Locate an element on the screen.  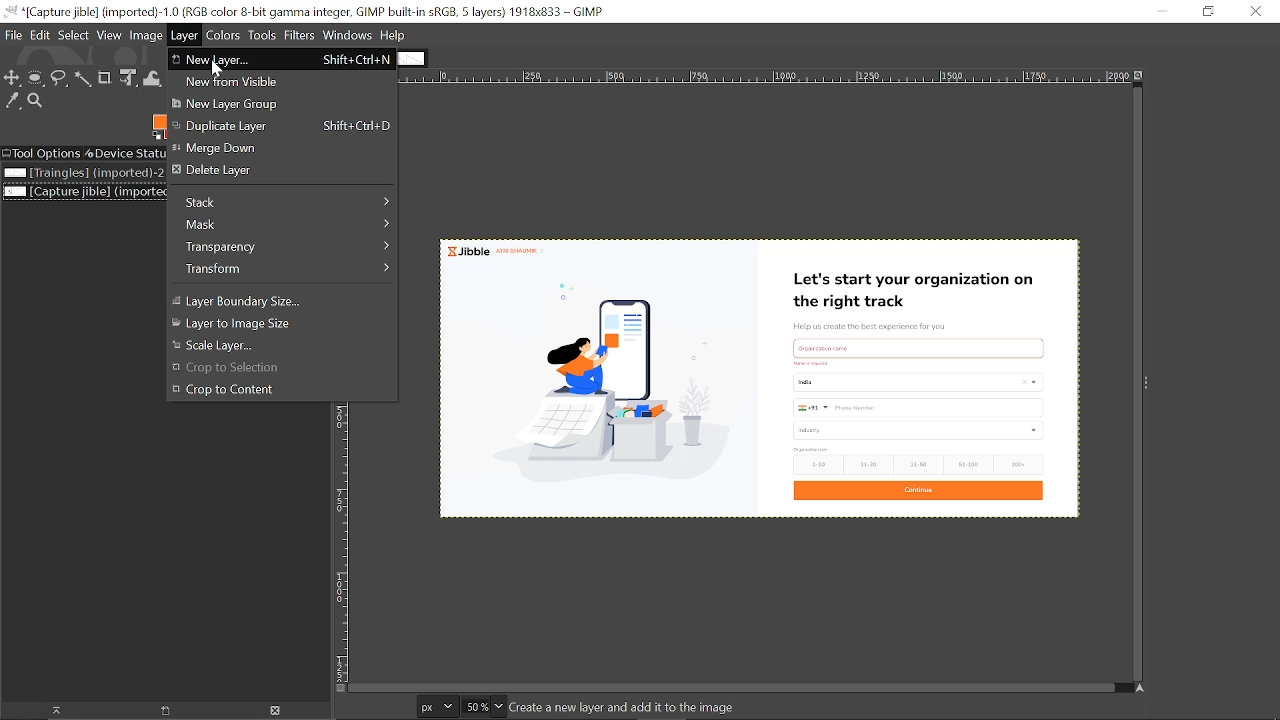
Wrap text tool is located at coordinates (151, 79).